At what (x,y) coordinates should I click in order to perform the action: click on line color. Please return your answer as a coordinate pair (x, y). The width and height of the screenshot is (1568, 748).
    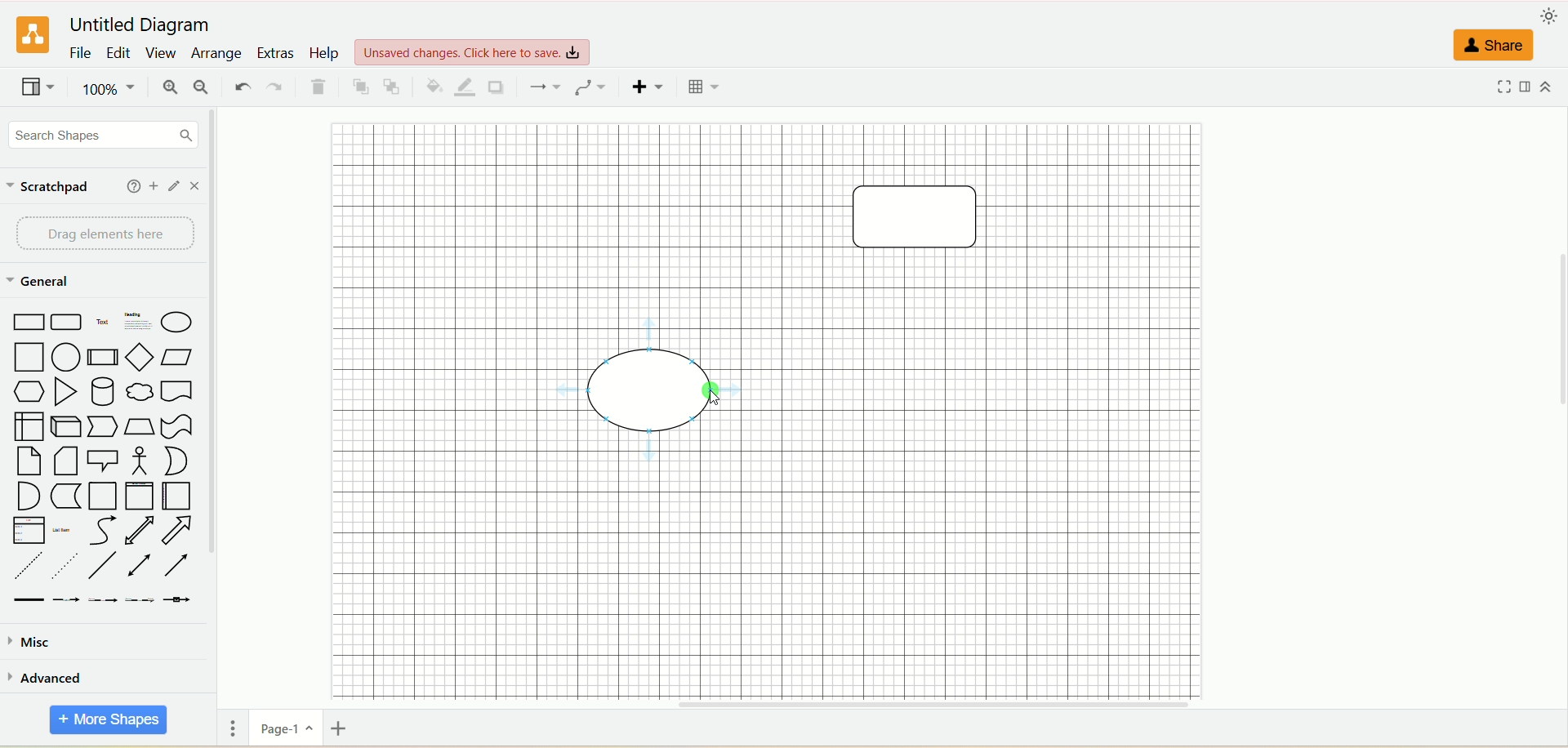
    Looking at the image, I should click on (460, 87).